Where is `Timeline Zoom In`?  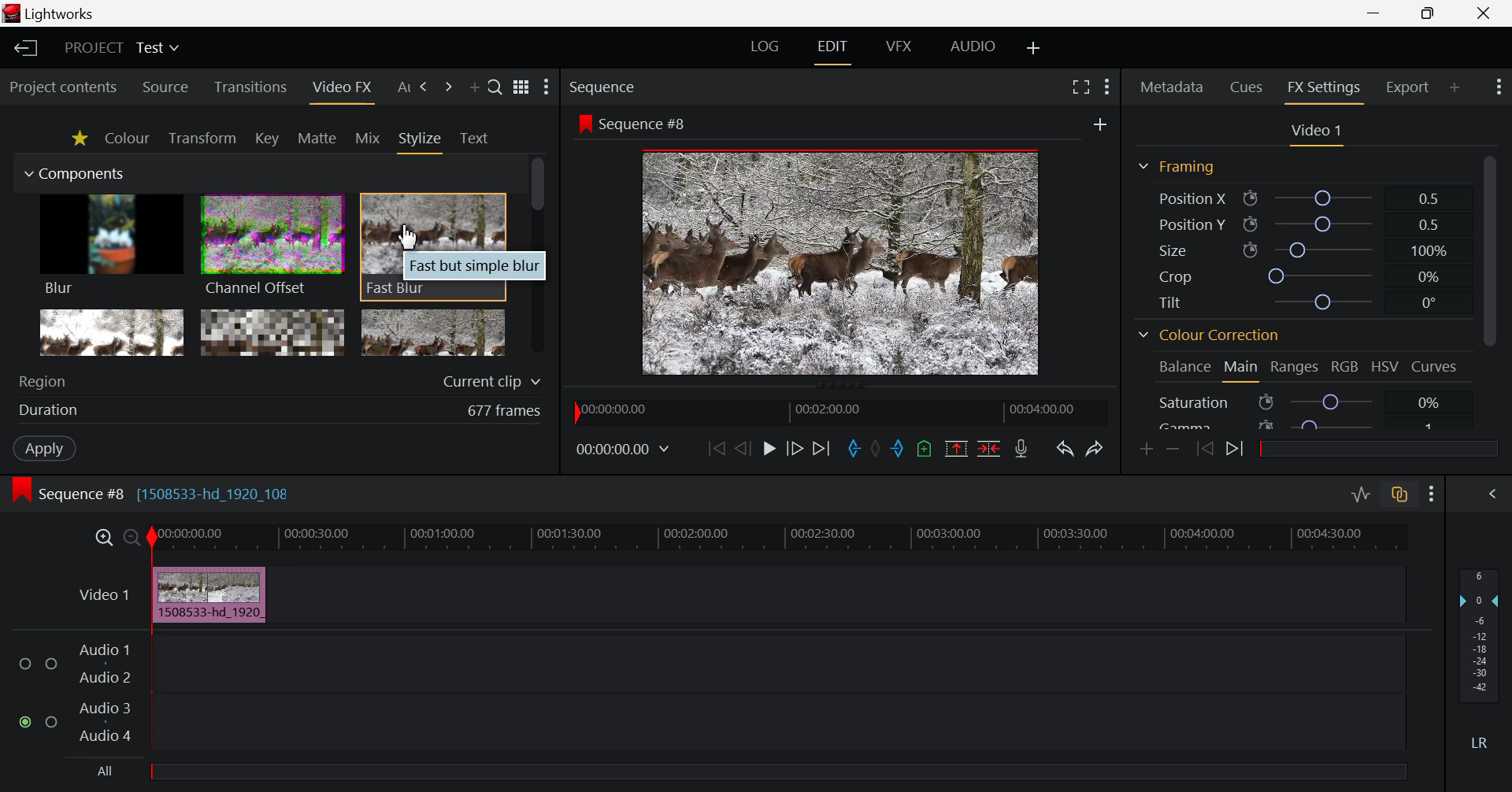 Timeline Zoom In is located at coordinates (102, 538).